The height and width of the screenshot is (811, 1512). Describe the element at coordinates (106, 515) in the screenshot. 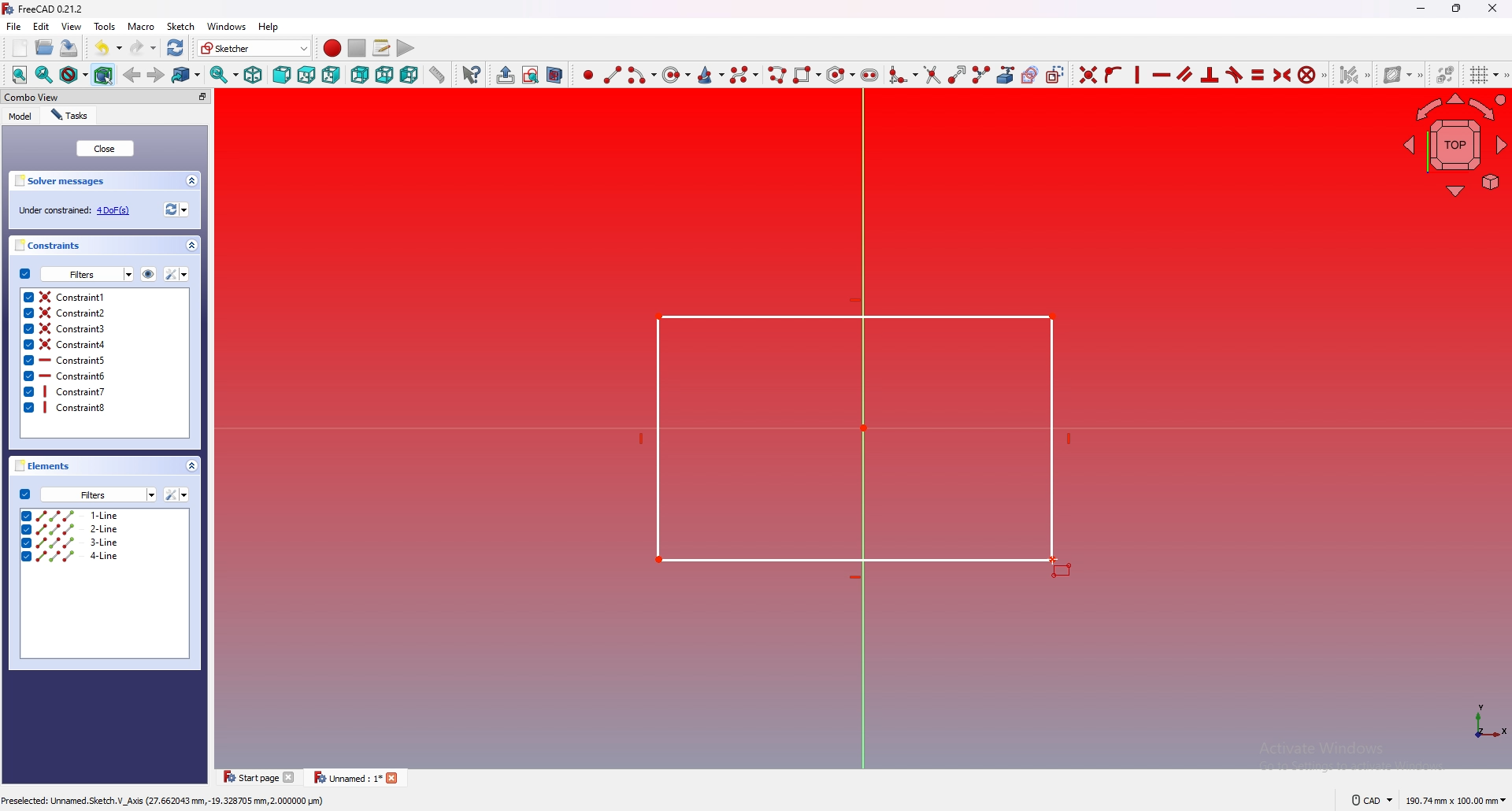

I see `1 line` at that location.